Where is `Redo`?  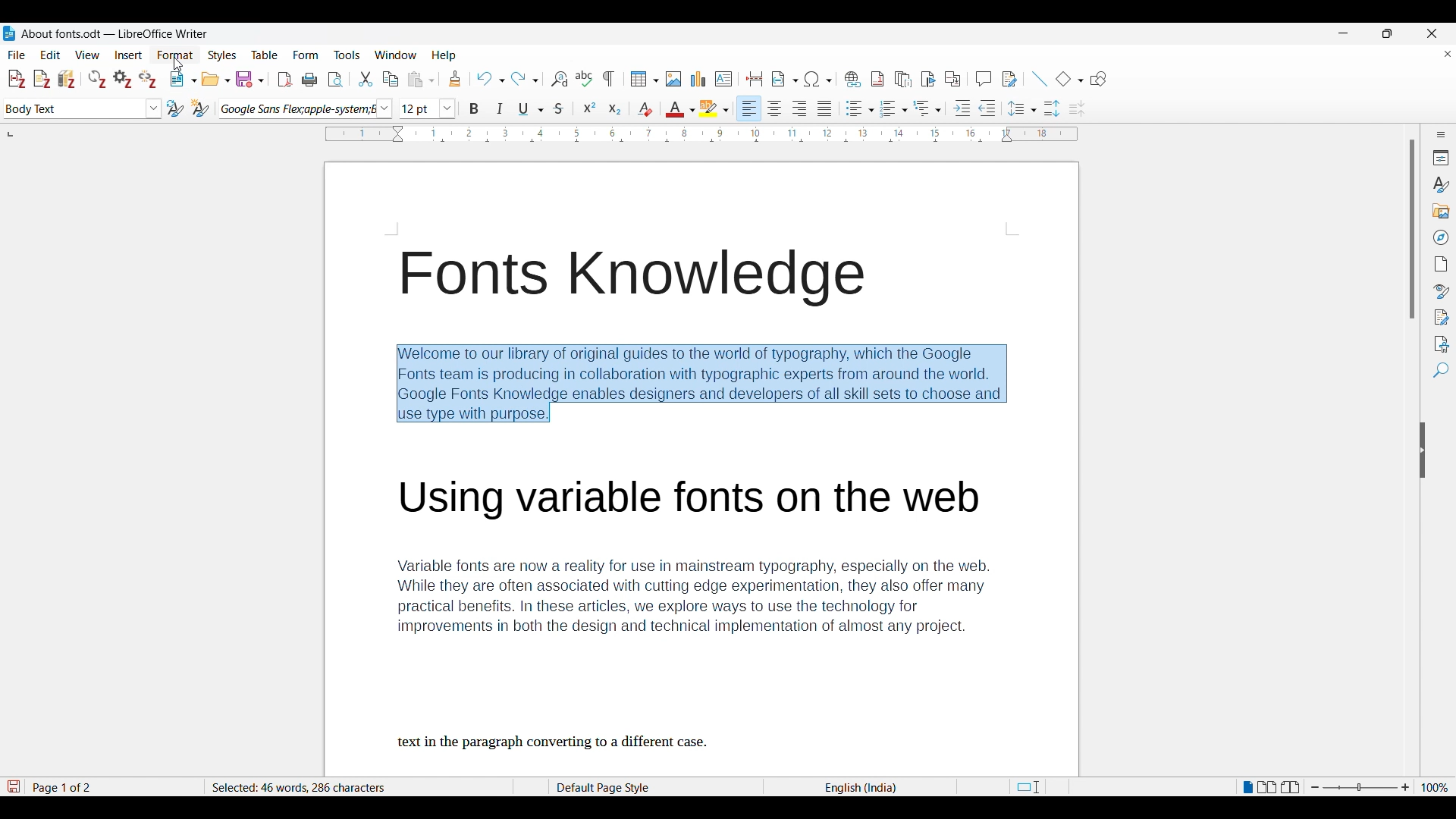 Redo is located at coordinates (525, 79).